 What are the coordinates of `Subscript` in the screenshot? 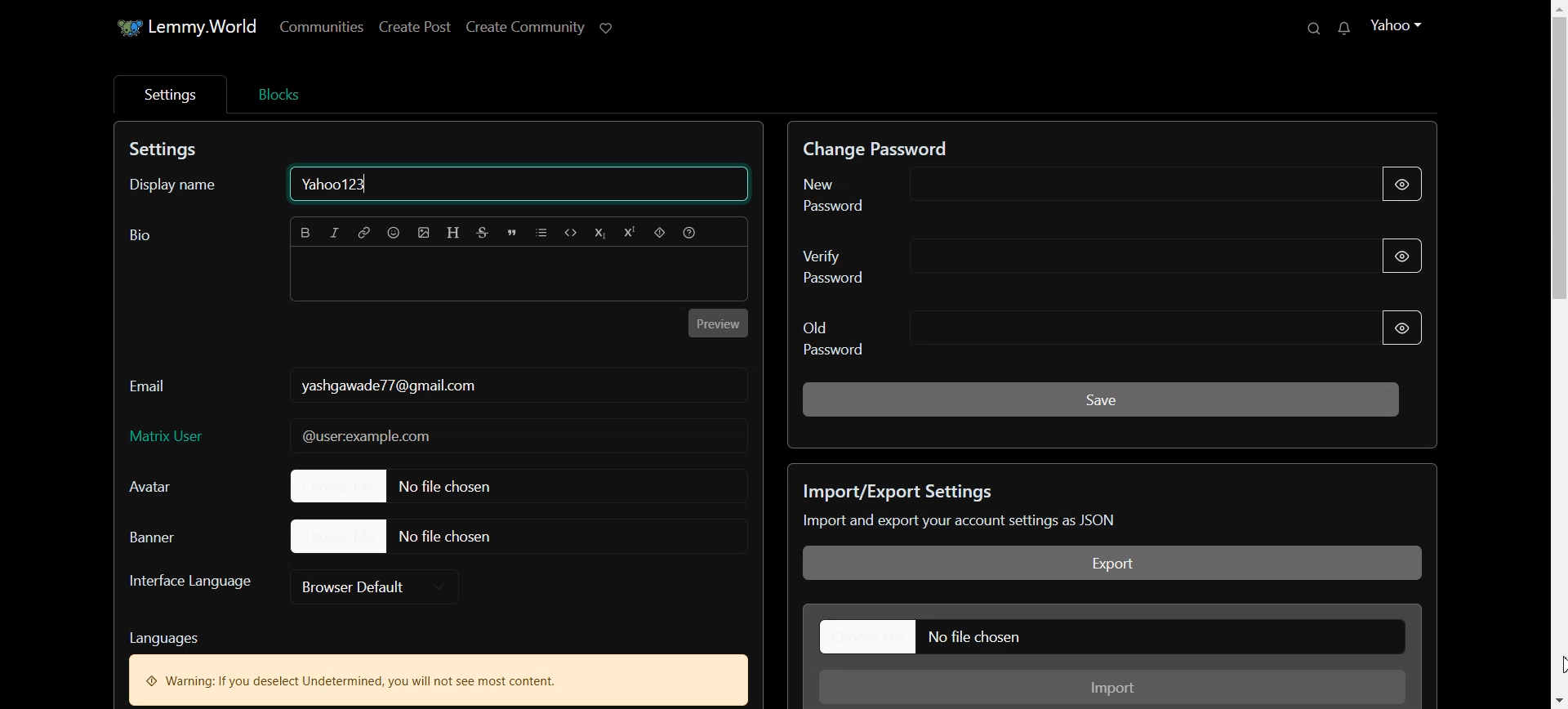 It's located at (600, 234).